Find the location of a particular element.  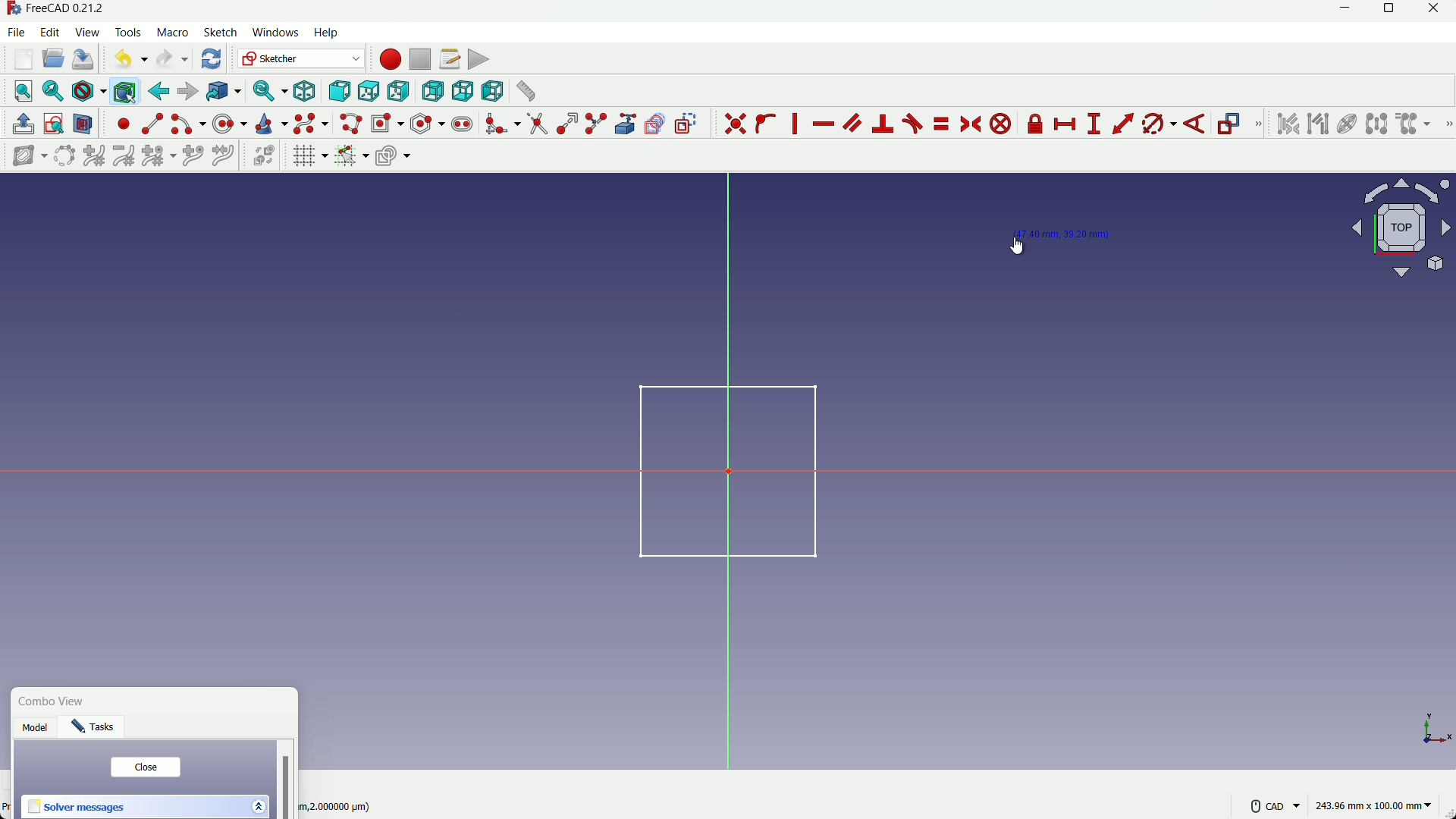

model is located at coordinates (37, 730).